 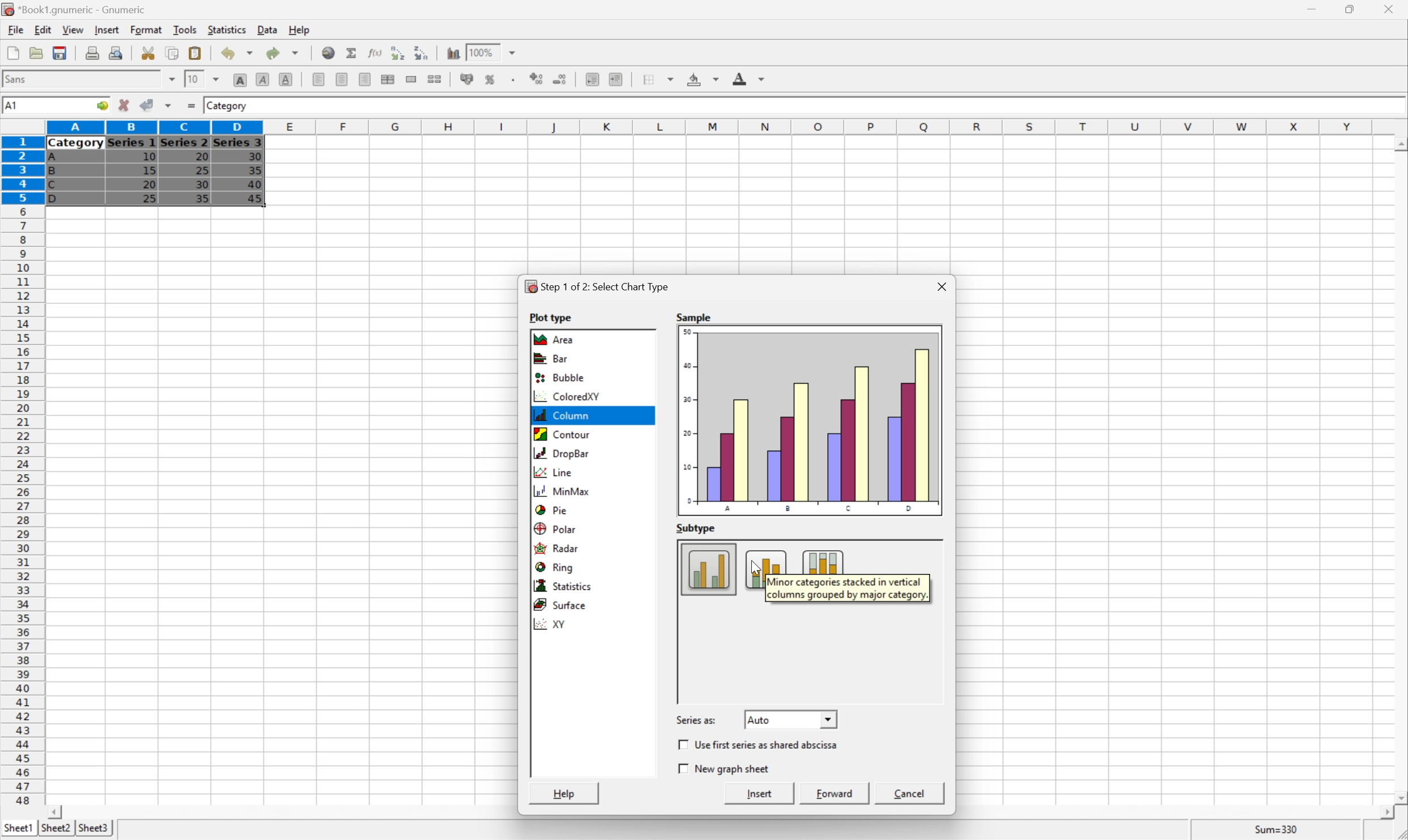 What do you see at coordinates (1308, 10) in the screenshot?
I see `Minimize` at bounding box center [1308, 10].